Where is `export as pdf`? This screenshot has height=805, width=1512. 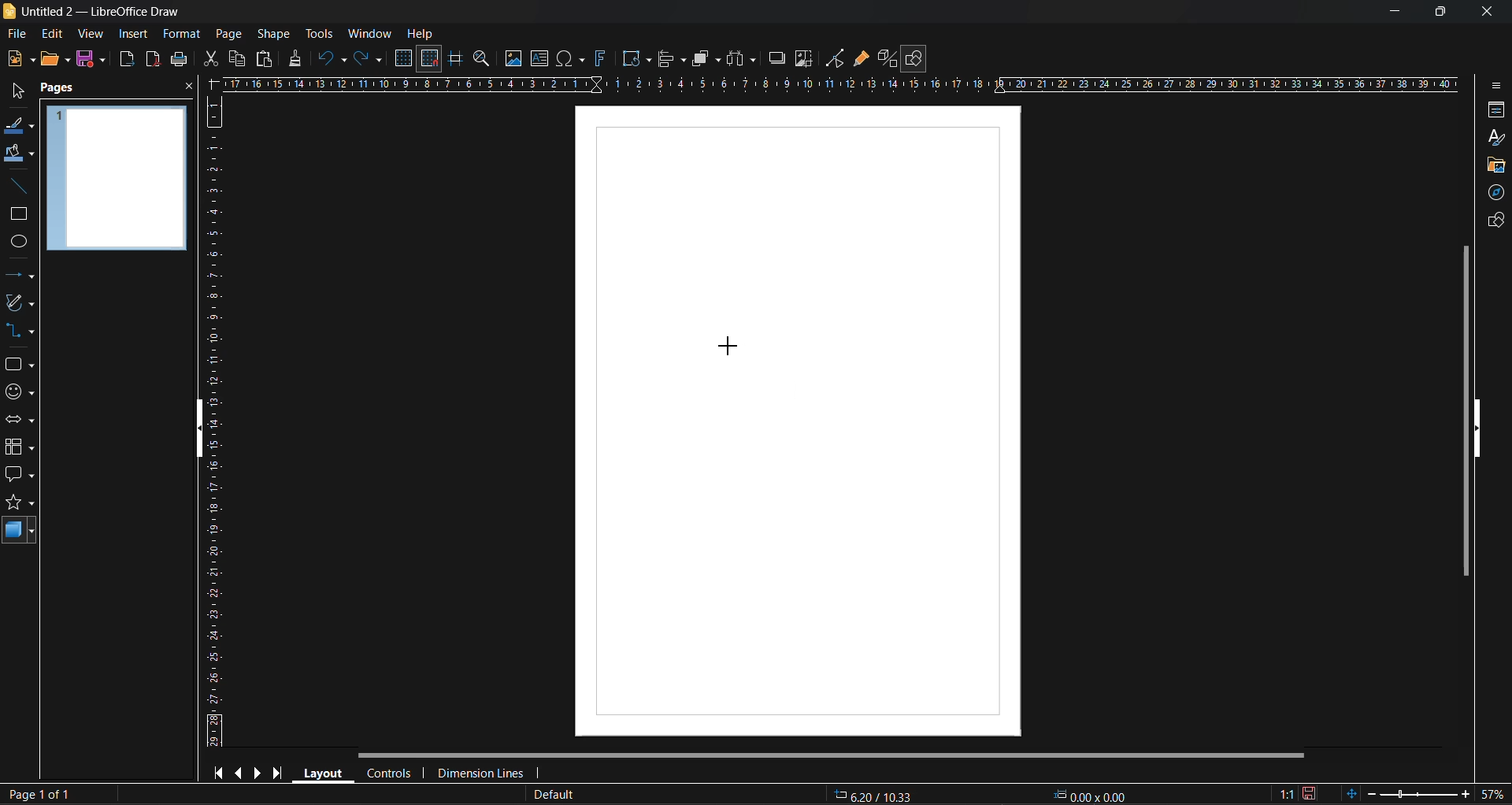 export as pdf is located at coordinates (150, 58).